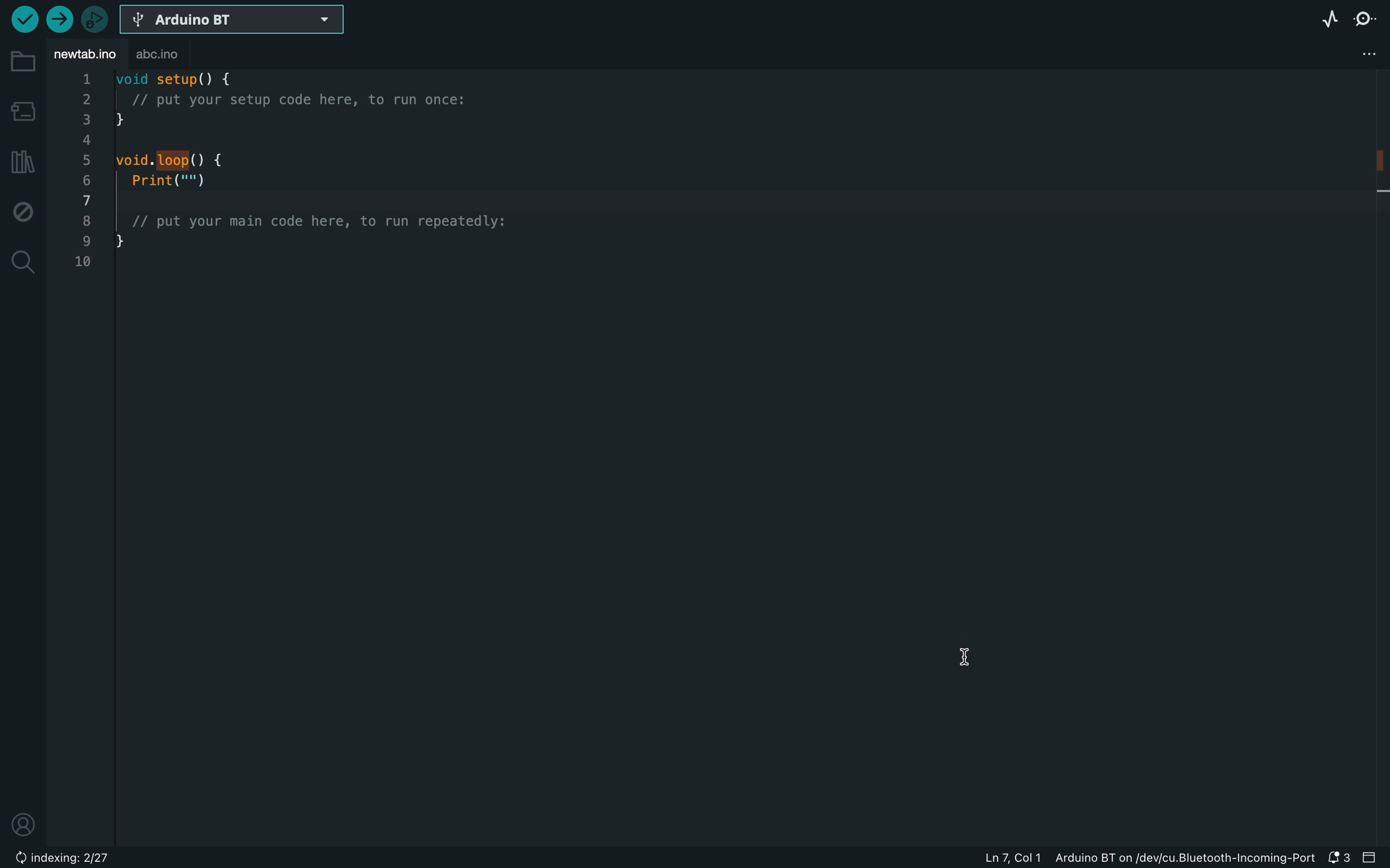 Image resolution: width=1390 pixels, height=868 pixels. What do you see at coordinates (1371, 52) in the screenshot?
I see `file setting` at bounding box center [1371, 52].